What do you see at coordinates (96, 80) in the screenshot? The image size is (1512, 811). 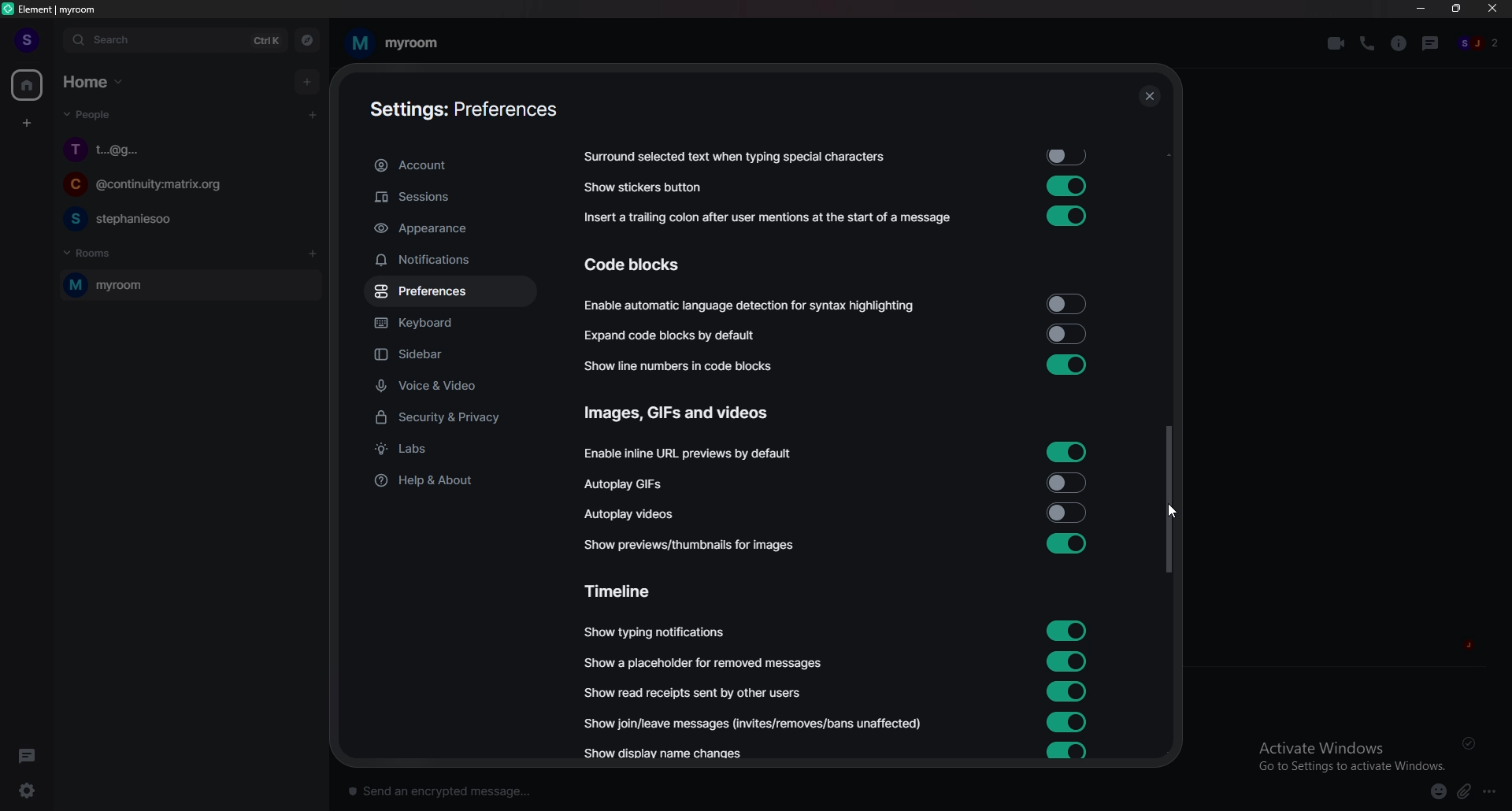 I see `Home` at bounding box center [96, 80].